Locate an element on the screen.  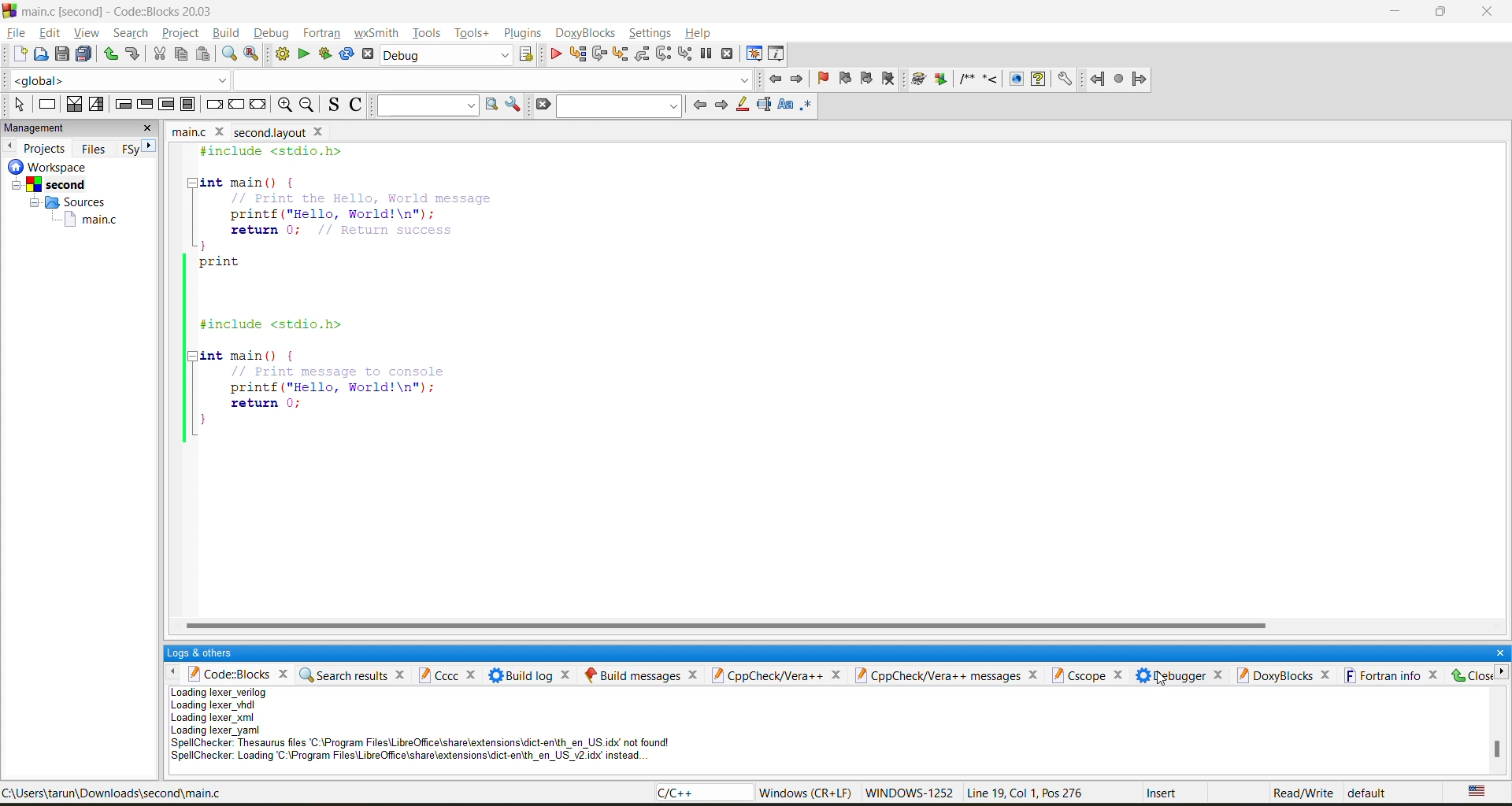
stop debugger is located at coordinates (726, 53).